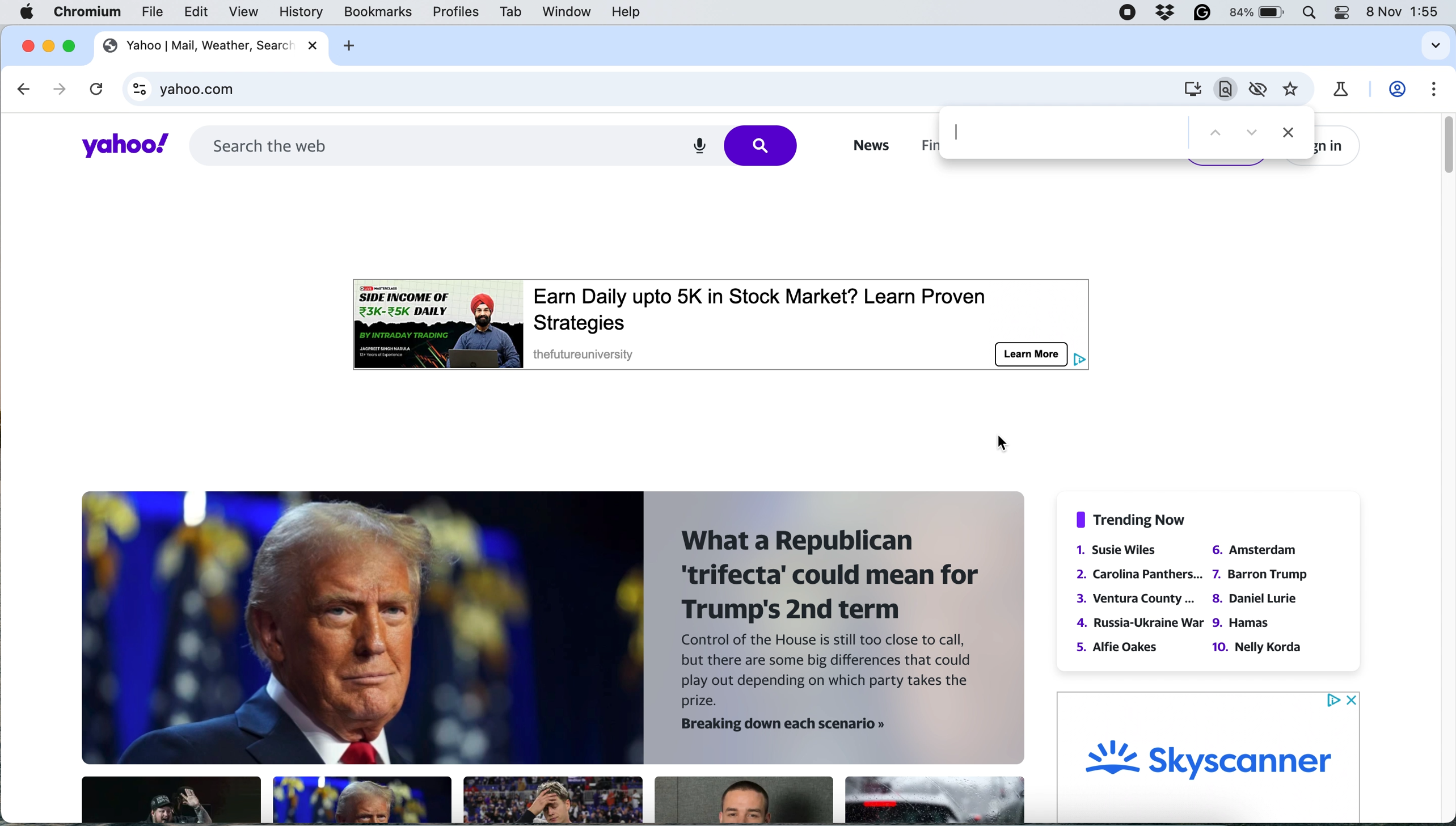 The image size is (1456, 826). Describe the element at coordinates (26, 90) in the screenshot. I see `go back` at that location.